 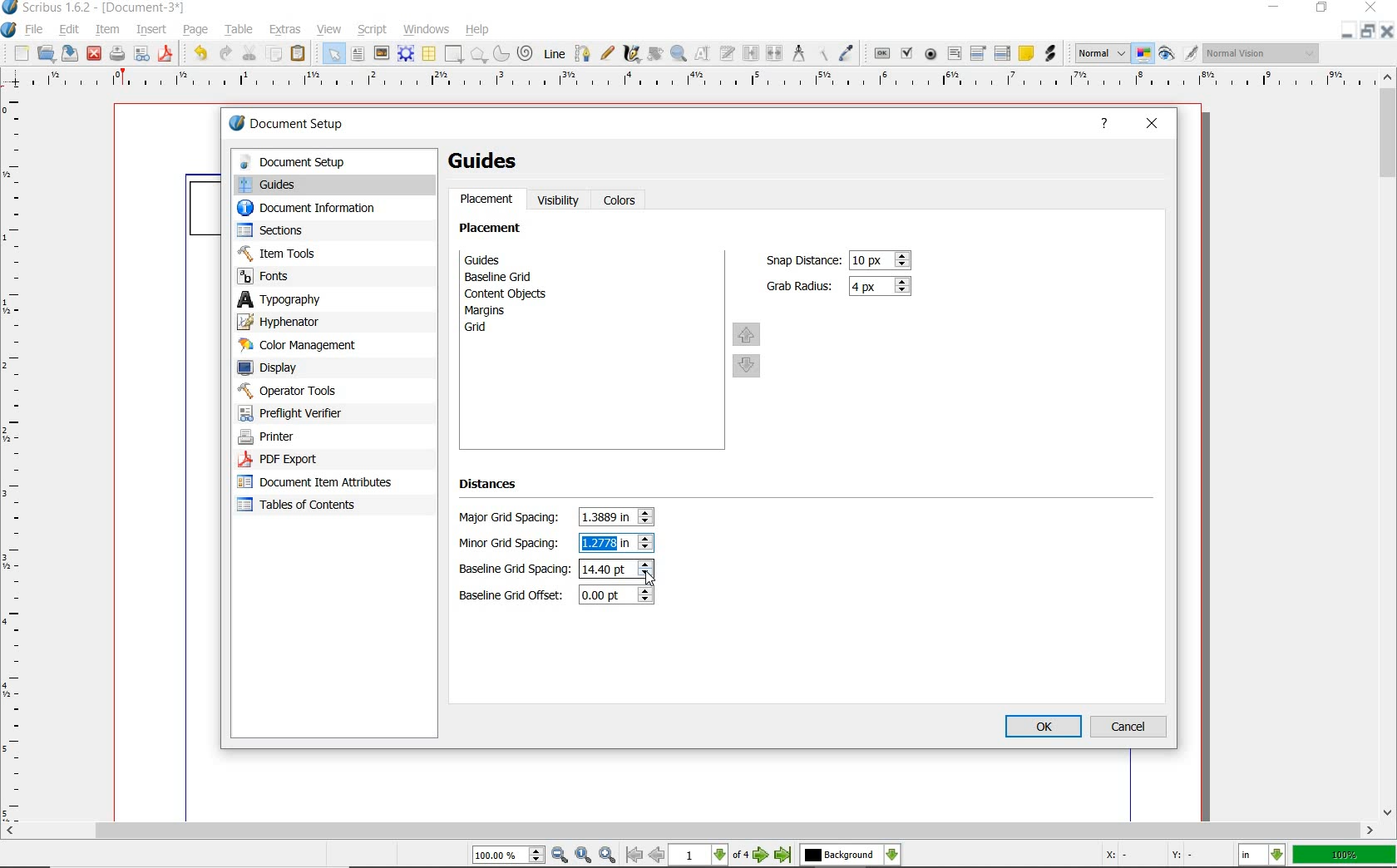 I want to click on document item attributes, so click(x=318, y=481).